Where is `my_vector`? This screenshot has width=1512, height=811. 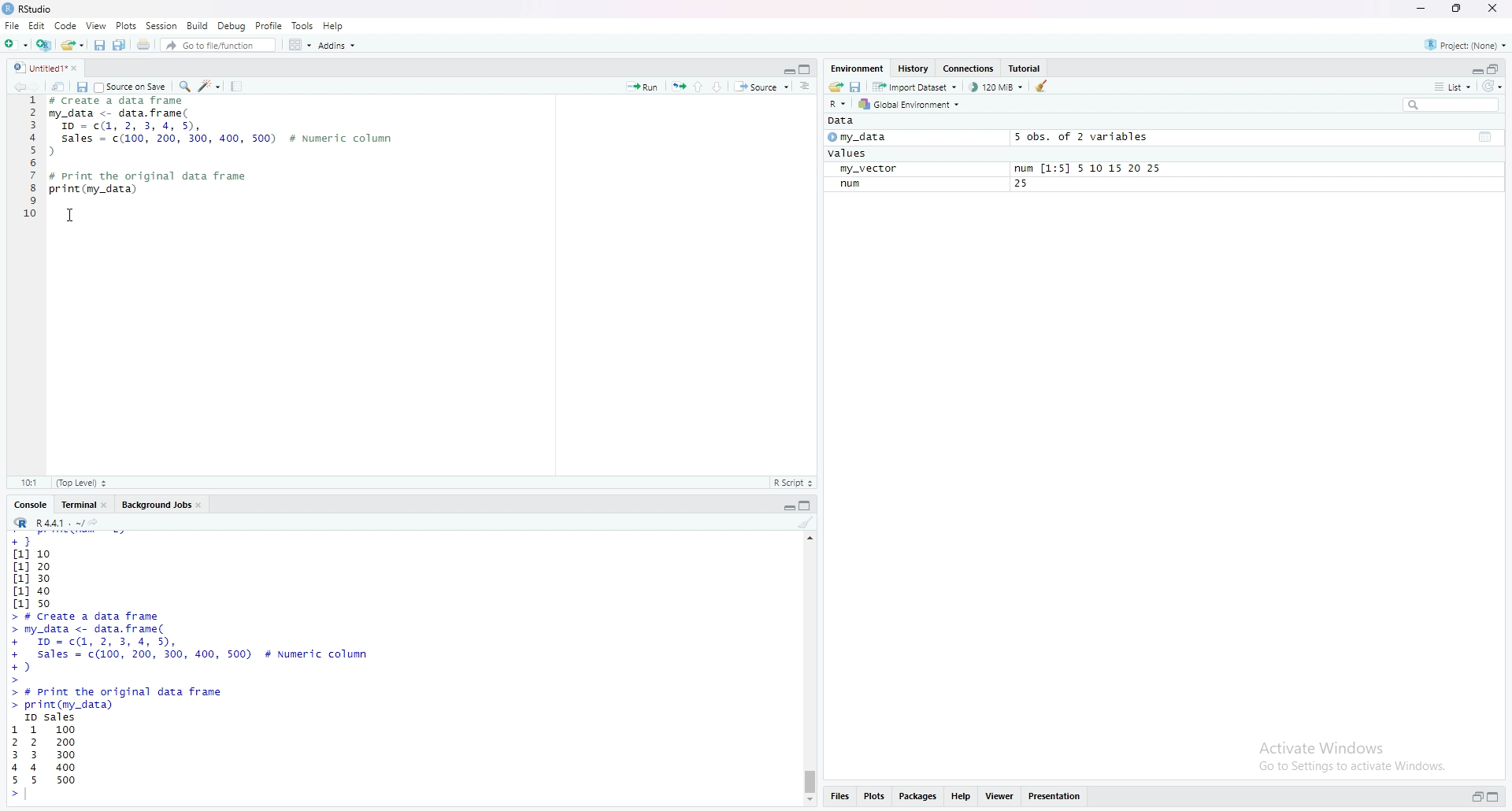 my_vector is located at coordinates (876, 169).